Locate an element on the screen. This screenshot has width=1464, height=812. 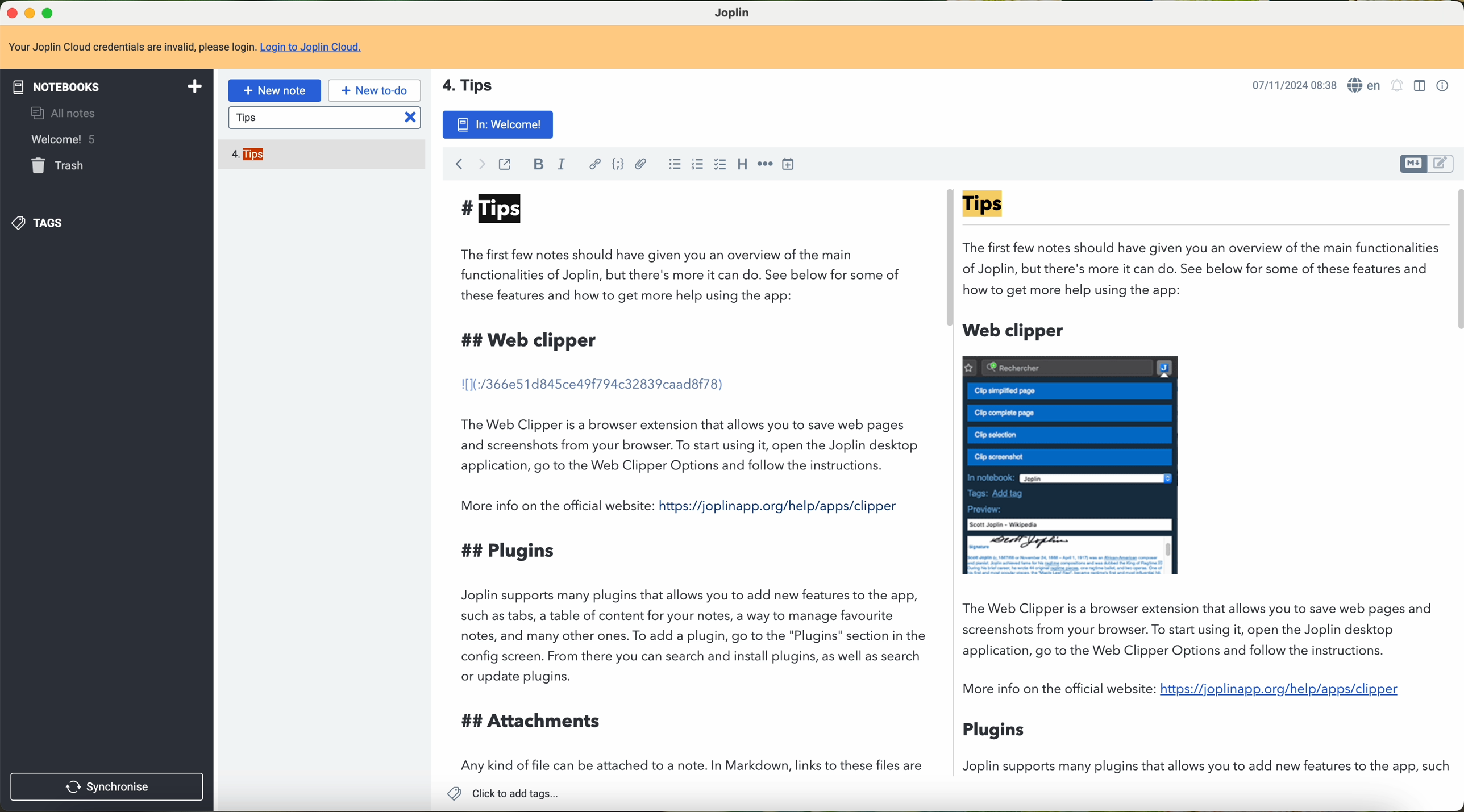
italic is located at coordinates (561, 166).